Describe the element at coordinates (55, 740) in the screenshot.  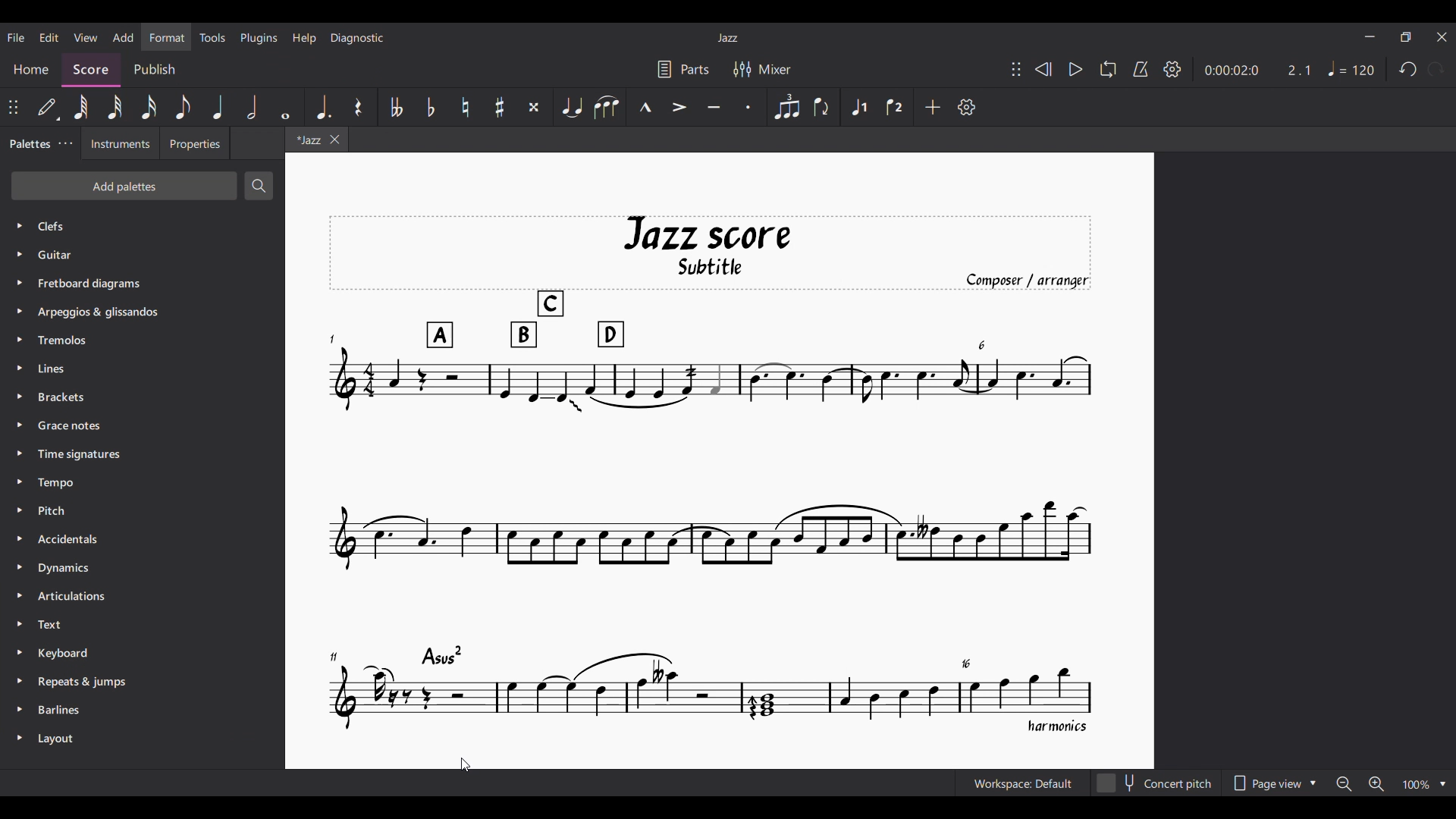
I see `Layout` at that location.